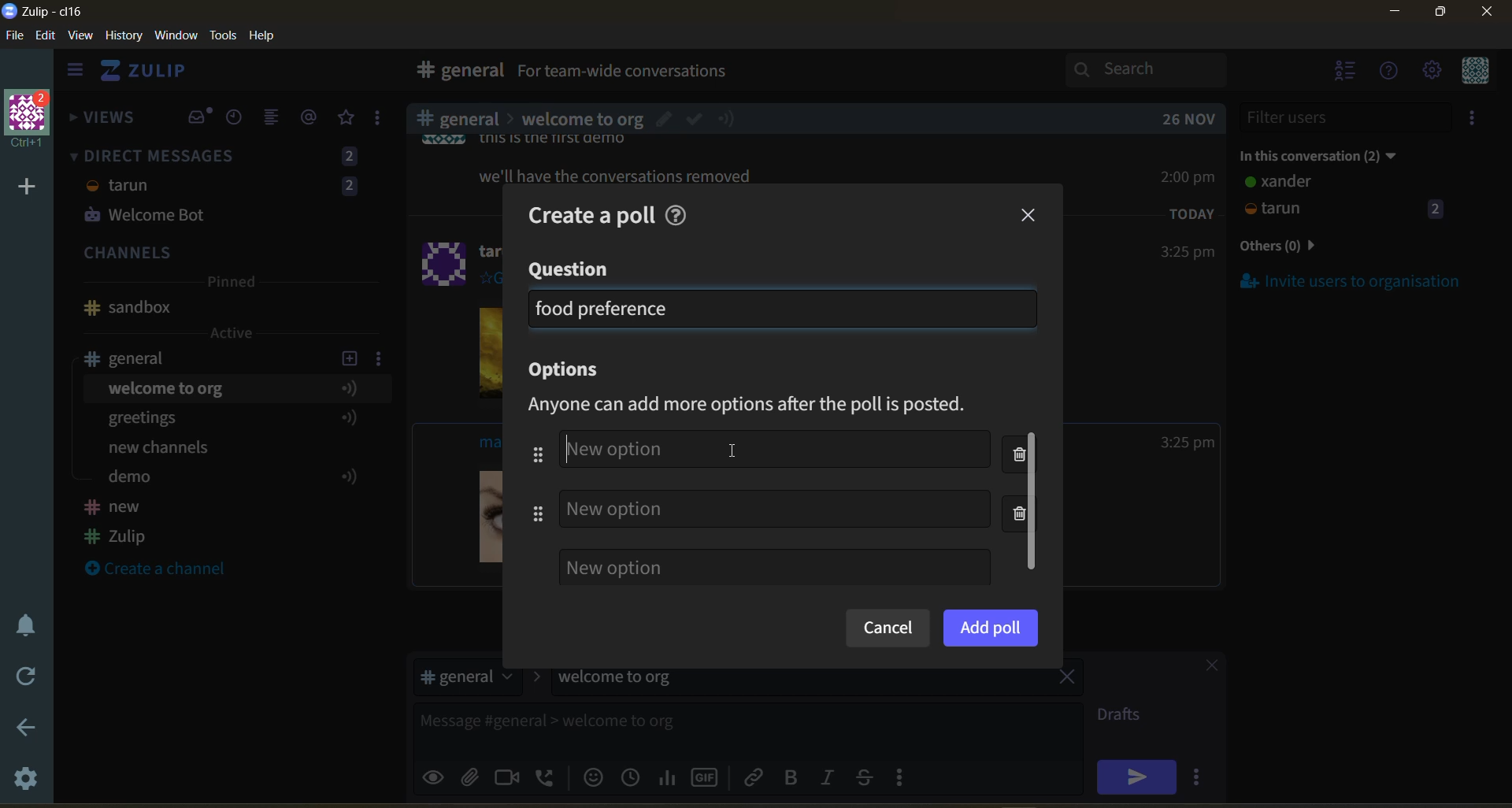 The height and width of the screenshot is (808, 1512). What do you see at coordinates (1204, 668) in the screenshot?
I see `close` at bounding box center [1204, 668].